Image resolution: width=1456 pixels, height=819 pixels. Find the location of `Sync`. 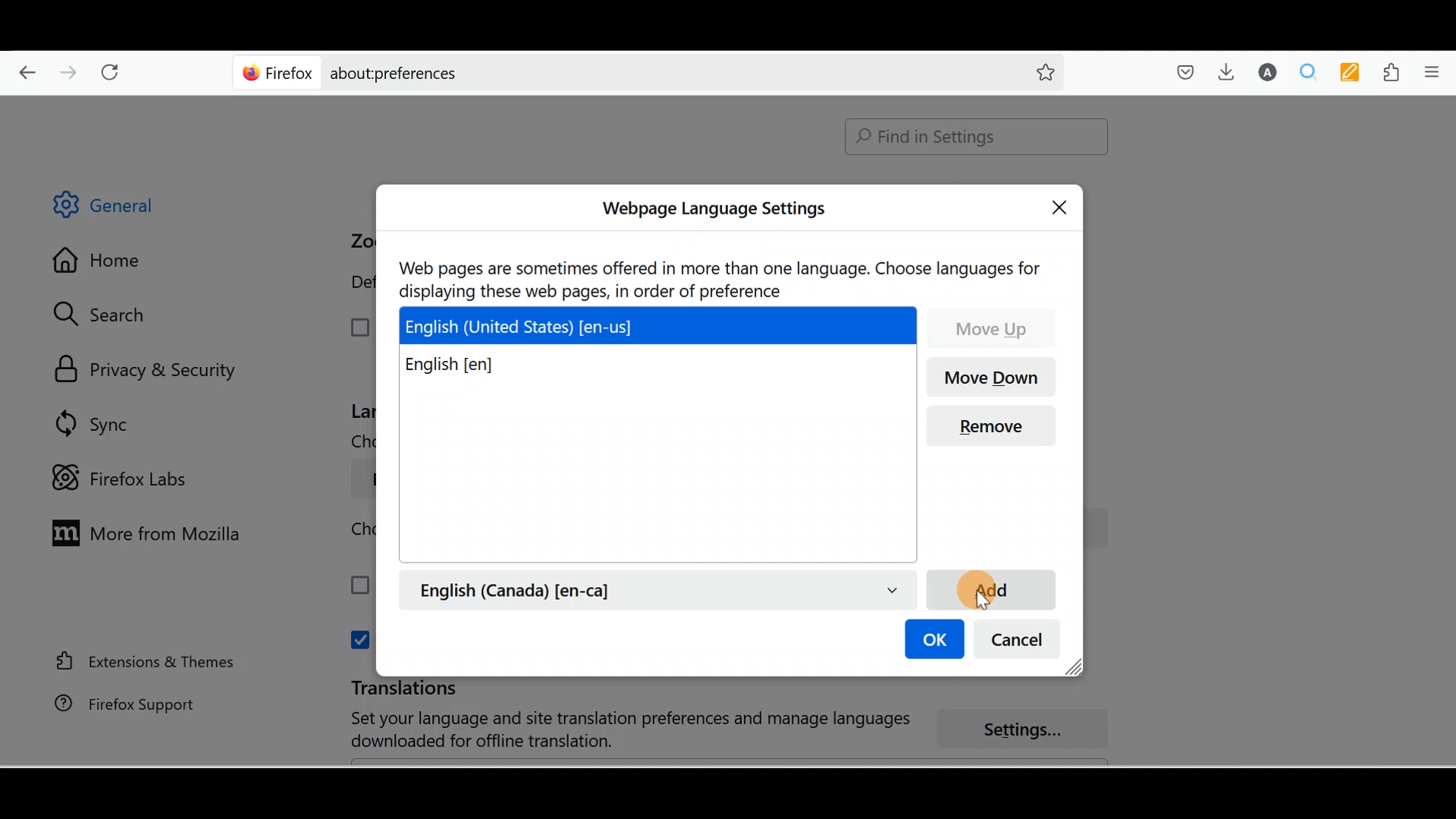

Sync is located at coordinates (95, 423).